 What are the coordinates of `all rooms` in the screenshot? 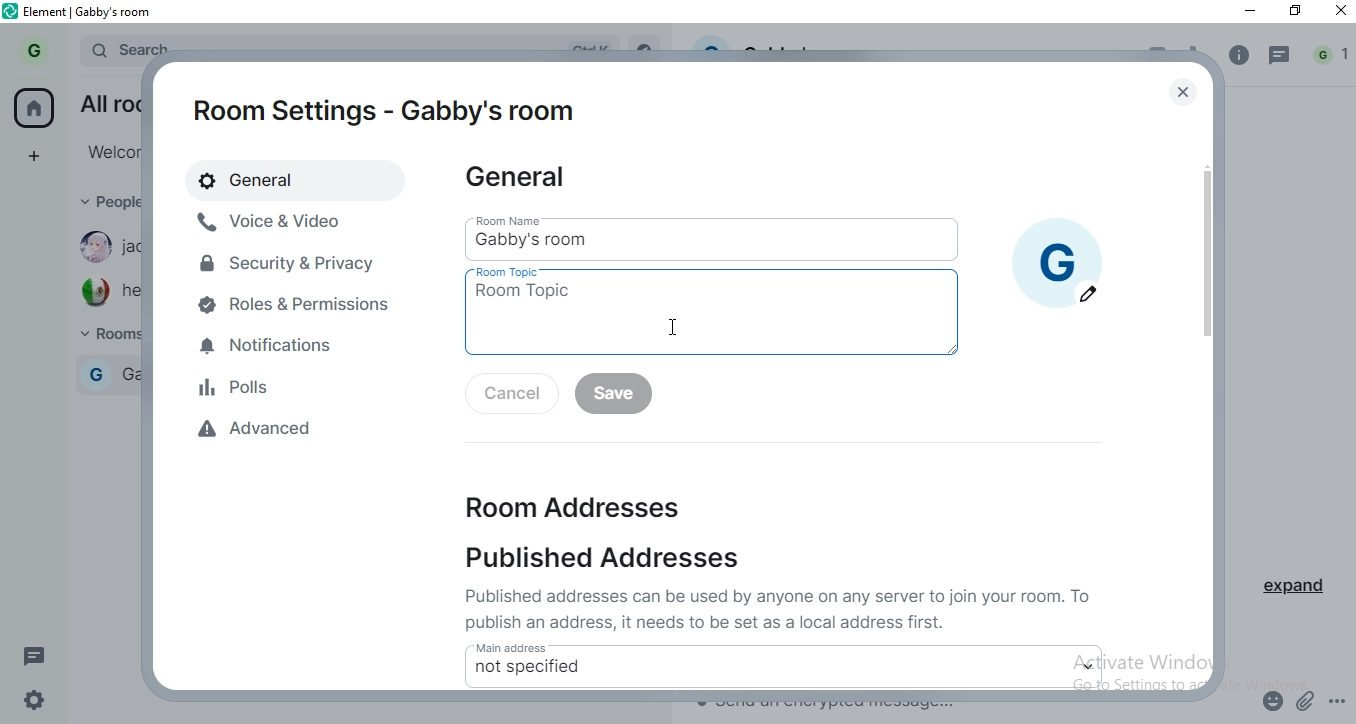 It's located at (106, 101).